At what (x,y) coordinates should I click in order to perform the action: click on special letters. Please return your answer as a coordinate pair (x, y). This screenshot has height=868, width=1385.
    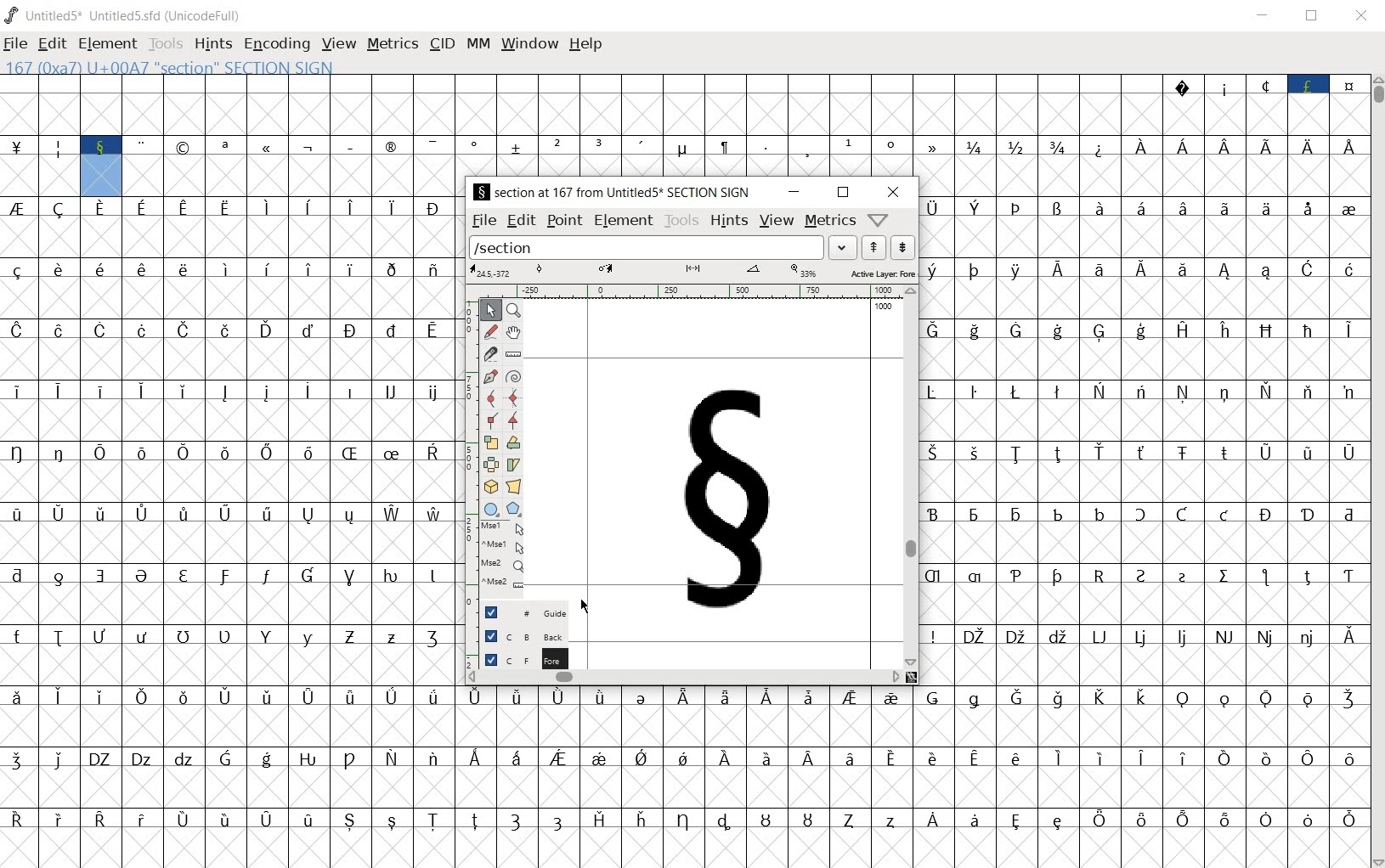
    Looking at the image, I should click on (1143, 635).